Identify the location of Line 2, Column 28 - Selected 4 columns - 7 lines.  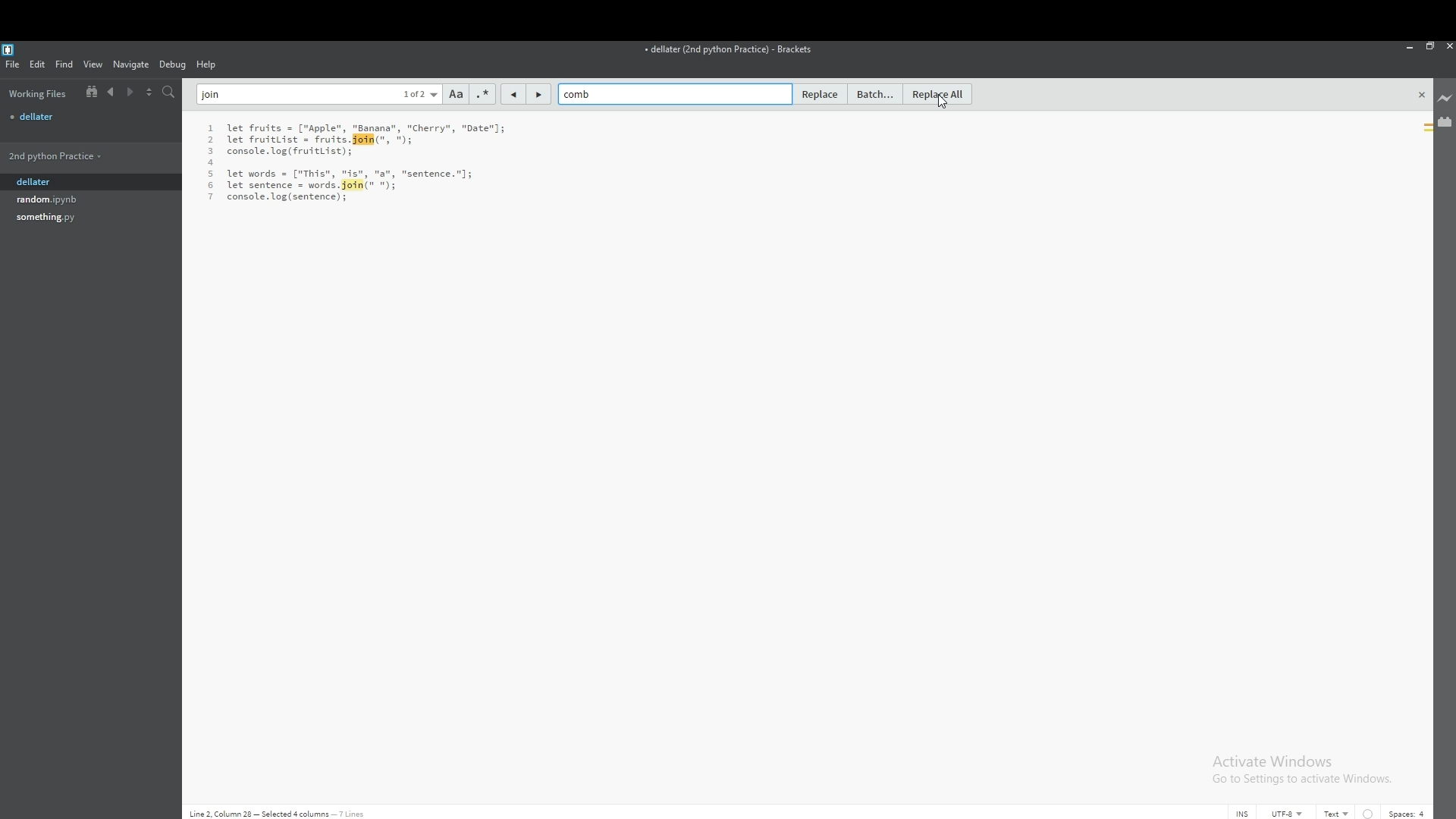
(297, 813).